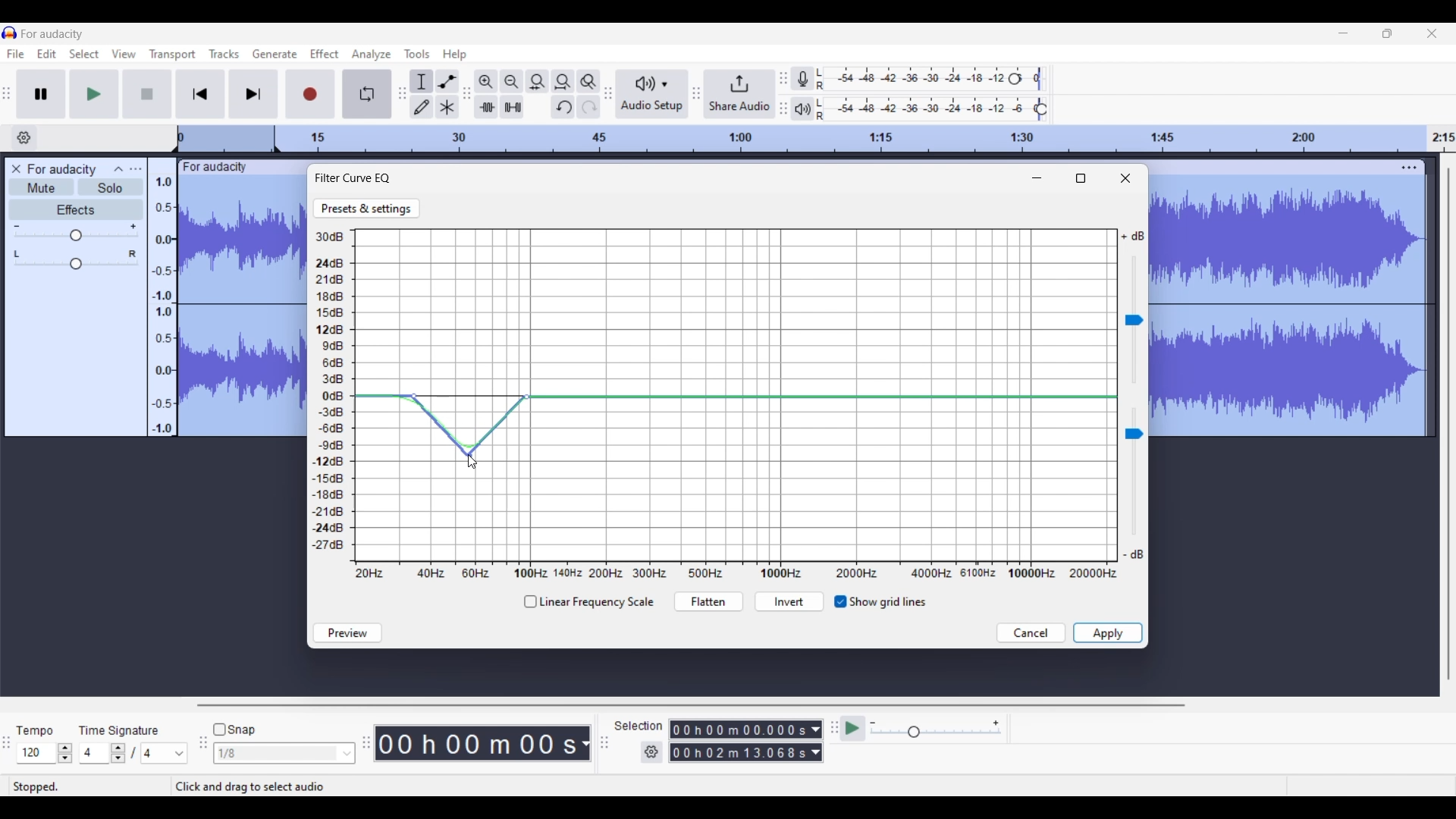  I want to click on Pan left, so click(17, 254).